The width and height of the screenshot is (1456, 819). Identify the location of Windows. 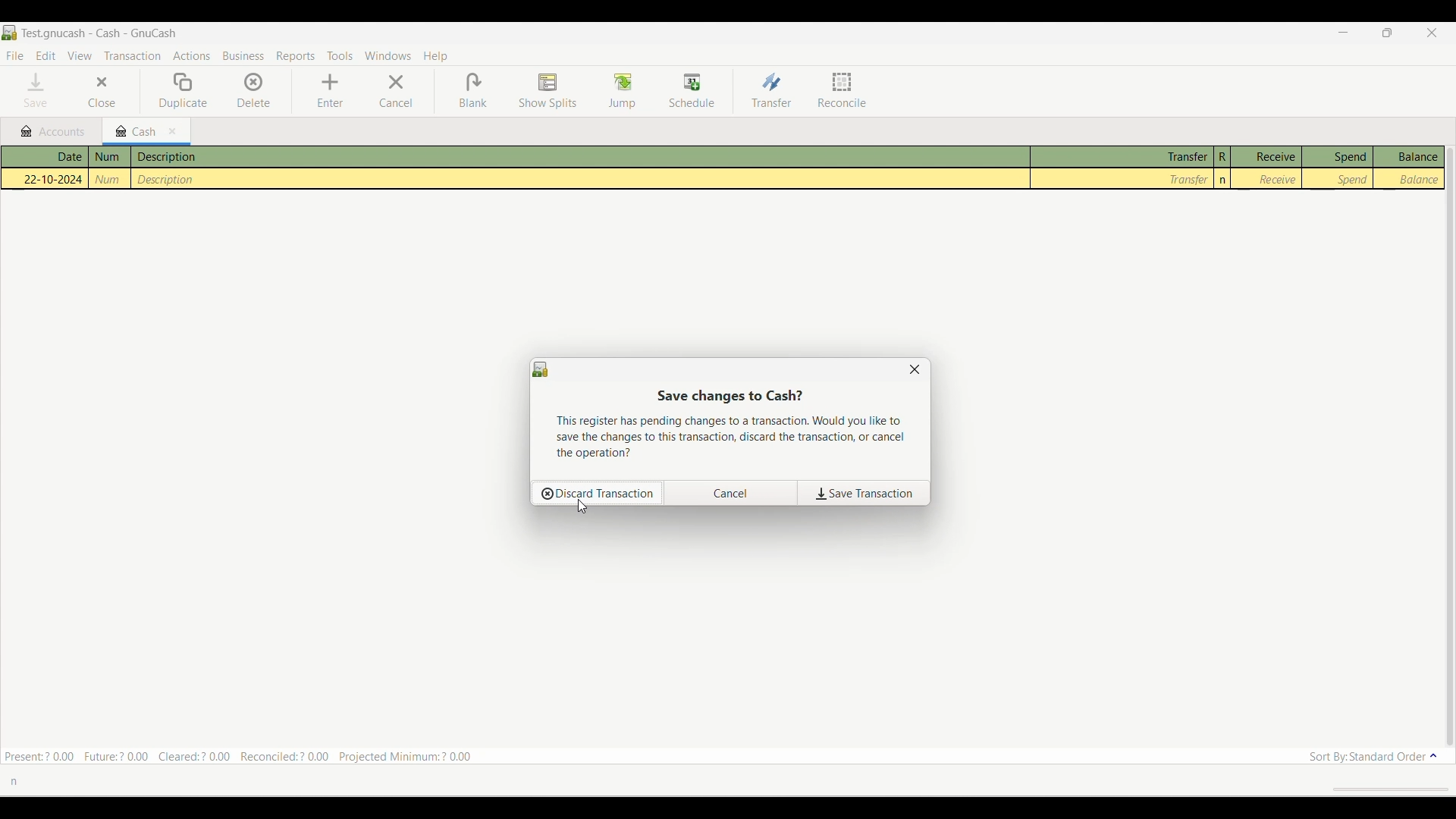
(388, 55).